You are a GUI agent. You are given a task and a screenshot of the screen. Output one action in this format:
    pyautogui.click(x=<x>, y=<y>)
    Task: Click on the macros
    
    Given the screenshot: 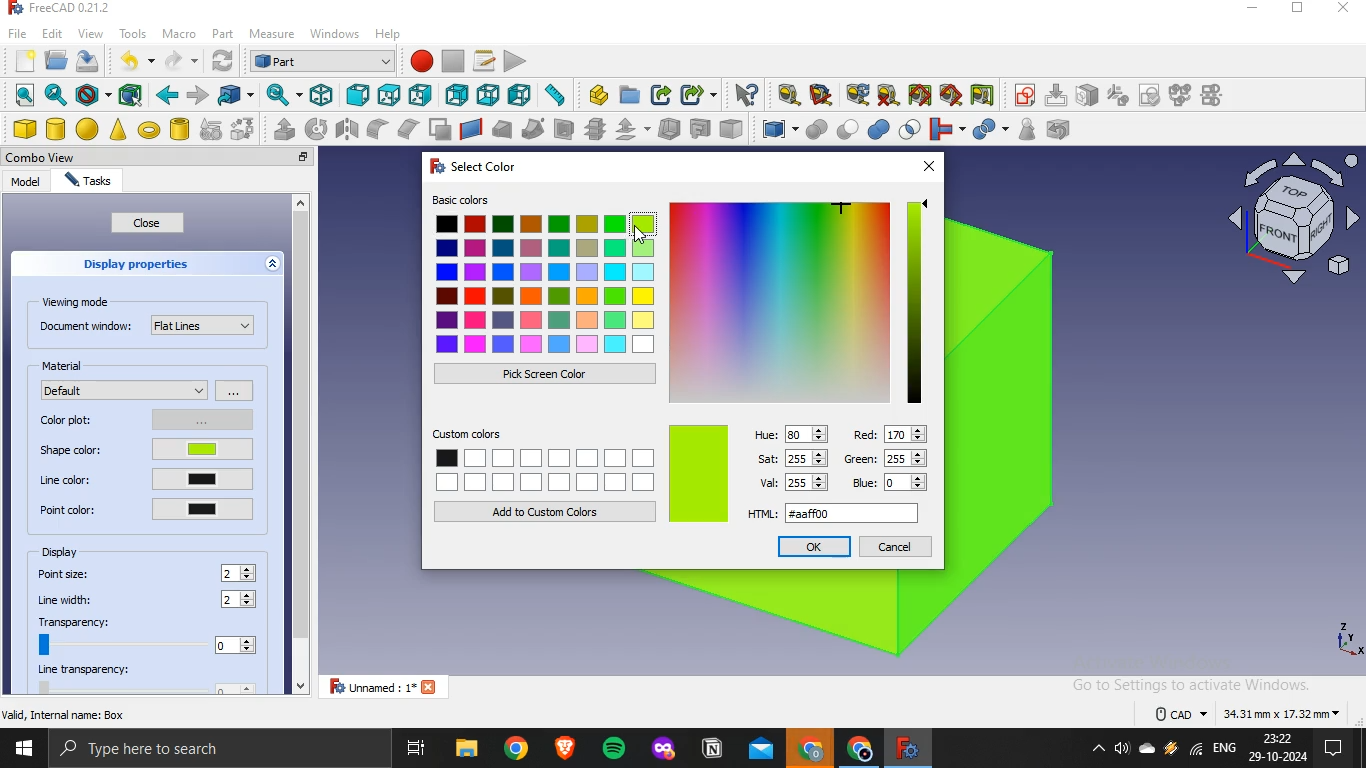 What is the action you would take?
    pyautogui.click(x=484, y=60)
    